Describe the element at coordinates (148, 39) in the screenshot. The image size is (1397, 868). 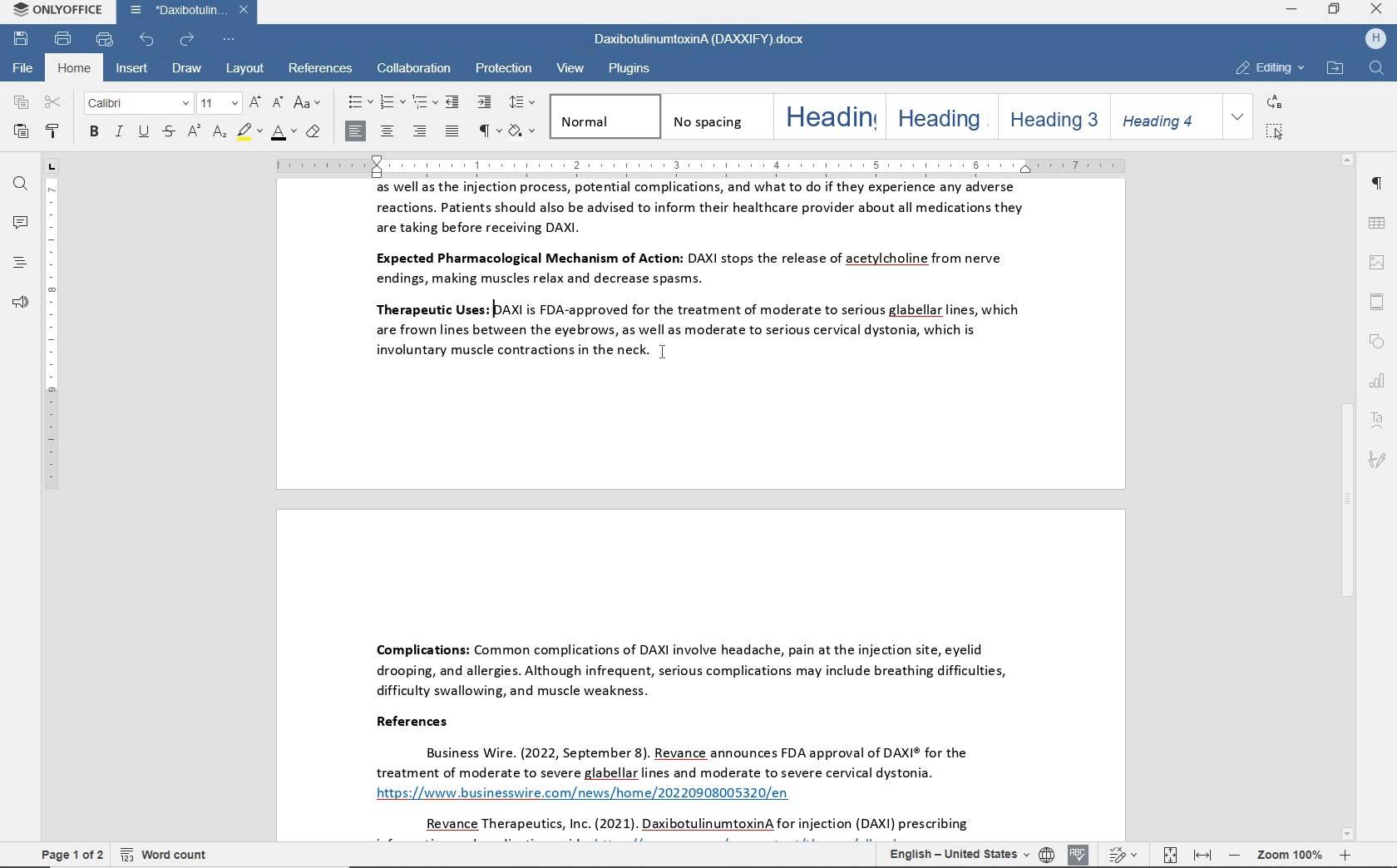
I see `undo` at that location.